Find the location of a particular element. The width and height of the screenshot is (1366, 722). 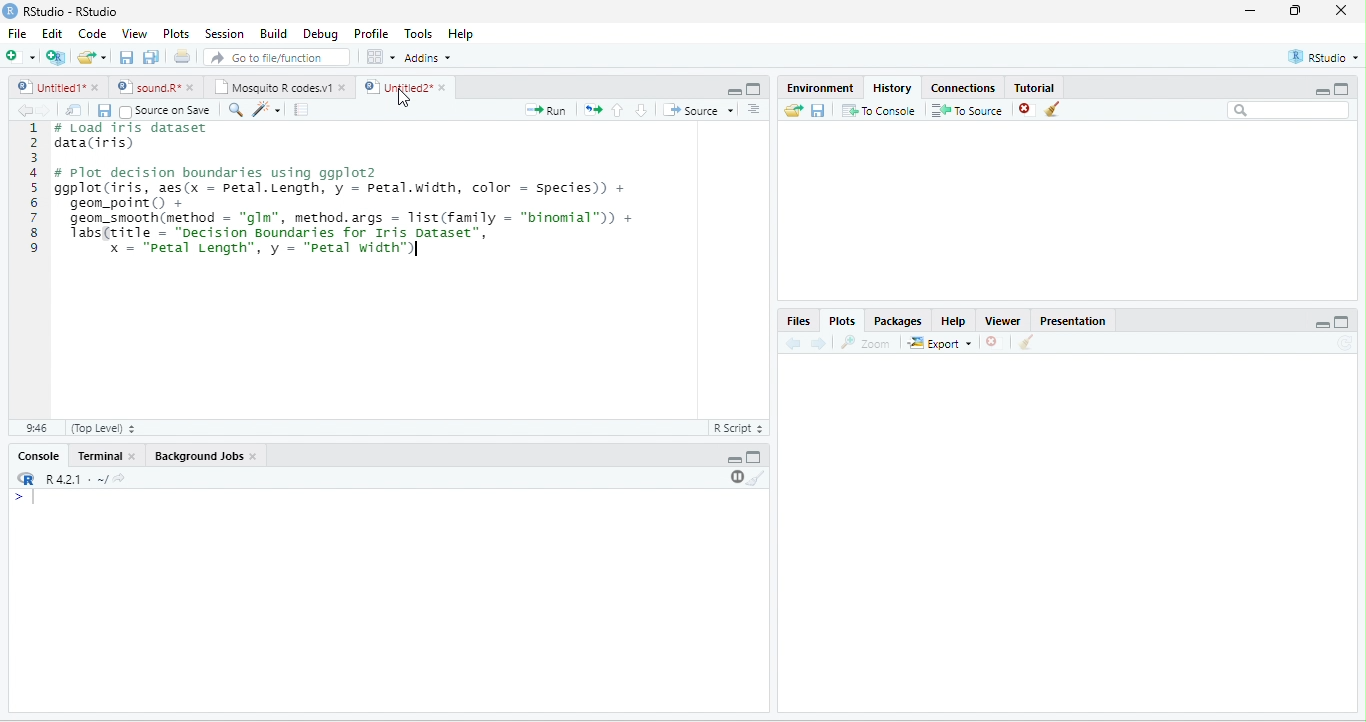

search is located at coordinates (234, 110).